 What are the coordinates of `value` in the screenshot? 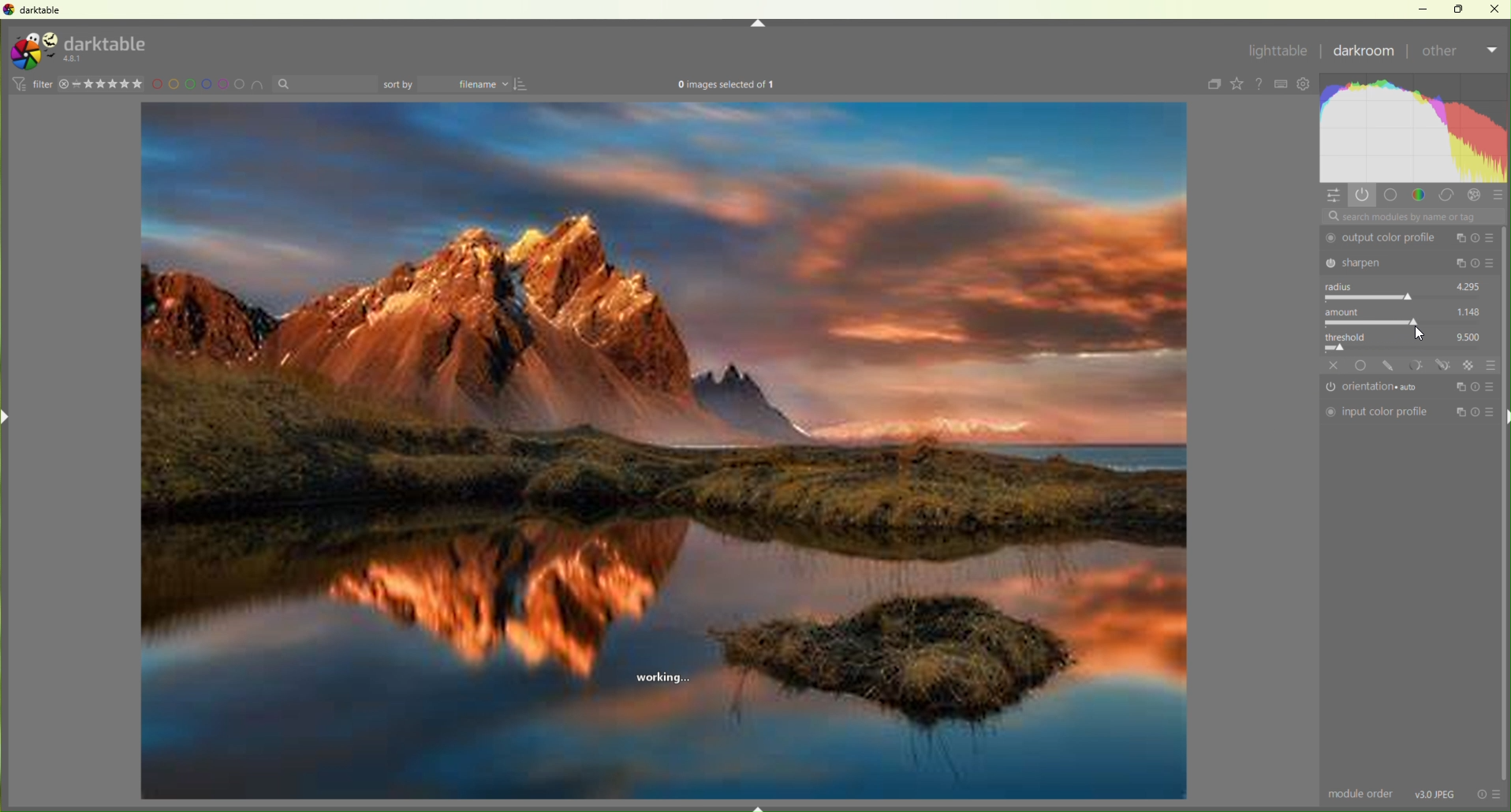 It's located at (1470, 311).